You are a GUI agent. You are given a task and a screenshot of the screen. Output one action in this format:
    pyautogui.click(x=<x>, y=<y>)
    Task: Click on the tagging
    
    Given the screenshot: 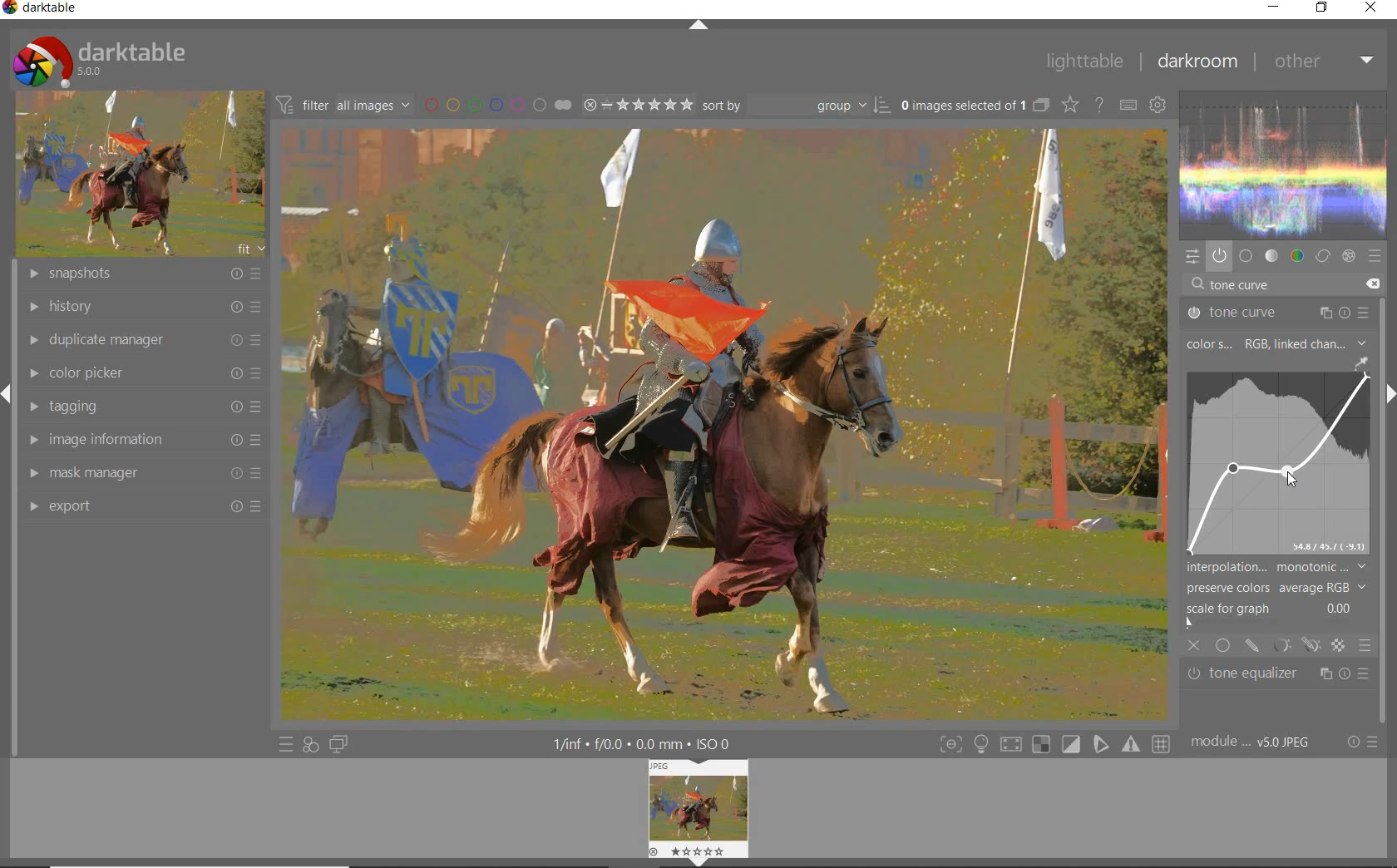 What is the action you would take?
    pyautogui.click(x=141, y=407)
    